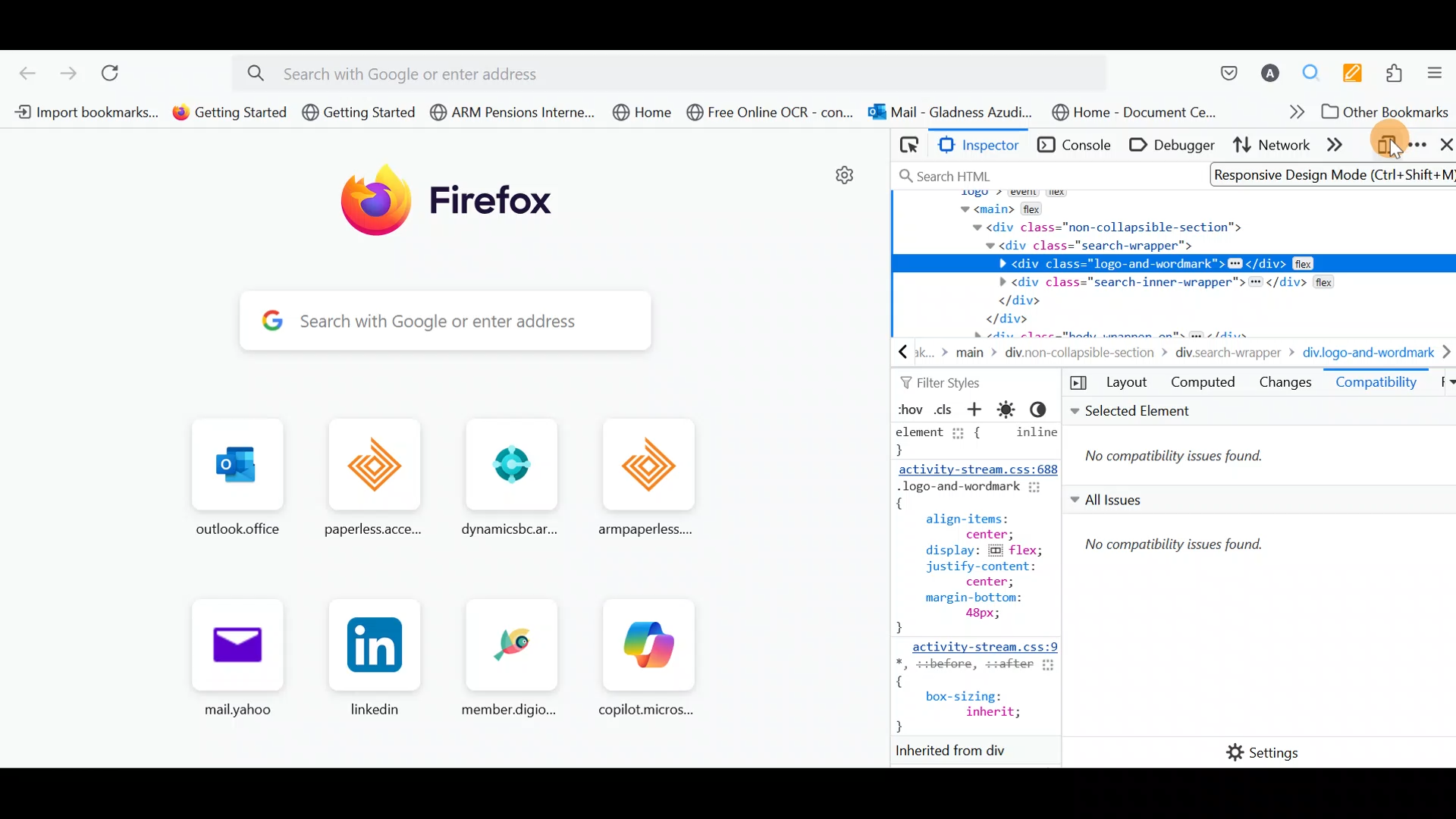  What do you see at coordinates (1258, 607) in the screenshot?
I see `All issues` at bounding box center [1258, 607].